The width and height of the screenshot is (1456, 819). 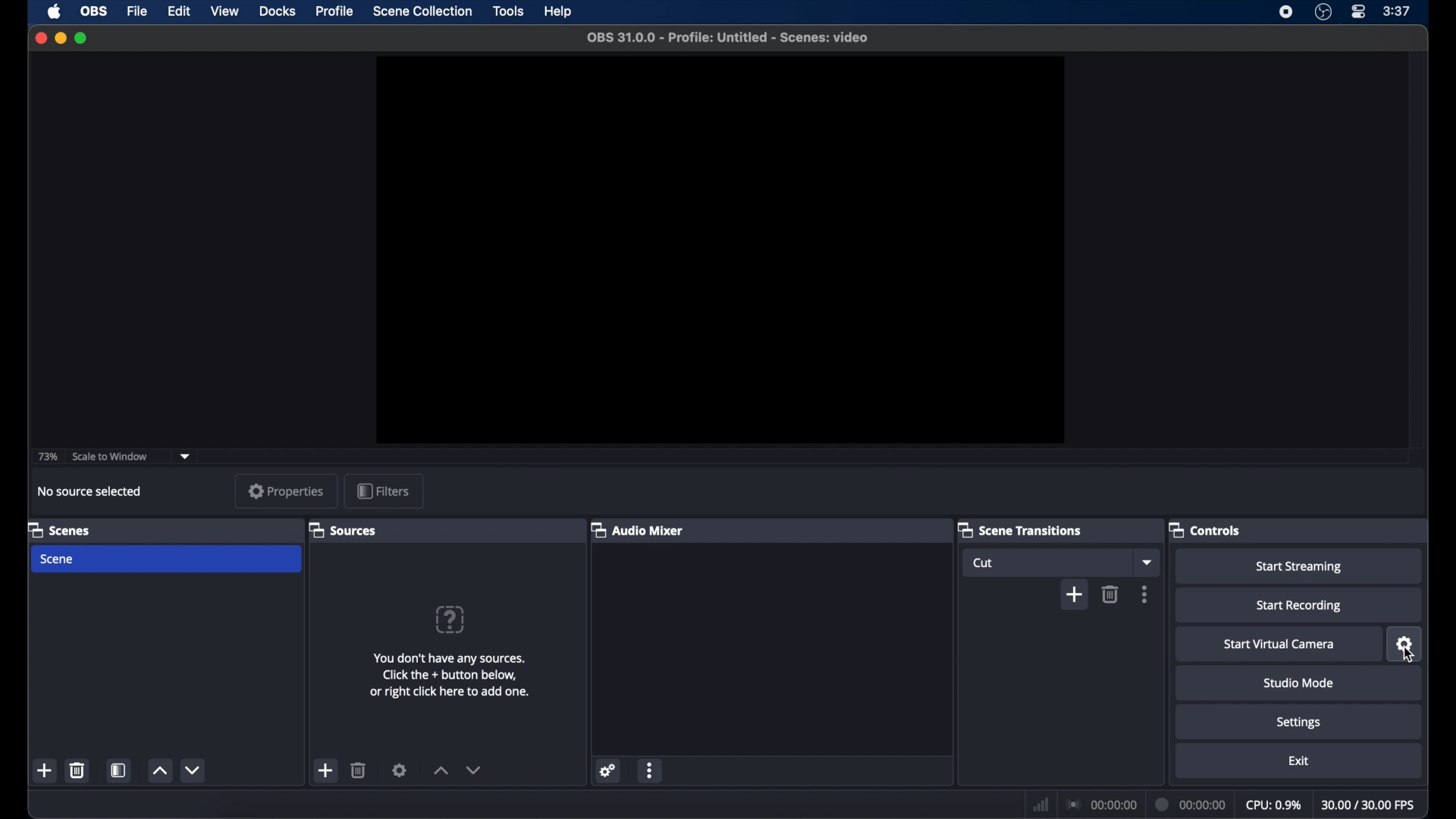 I want to click on control center, so click(x=1357, y=12).